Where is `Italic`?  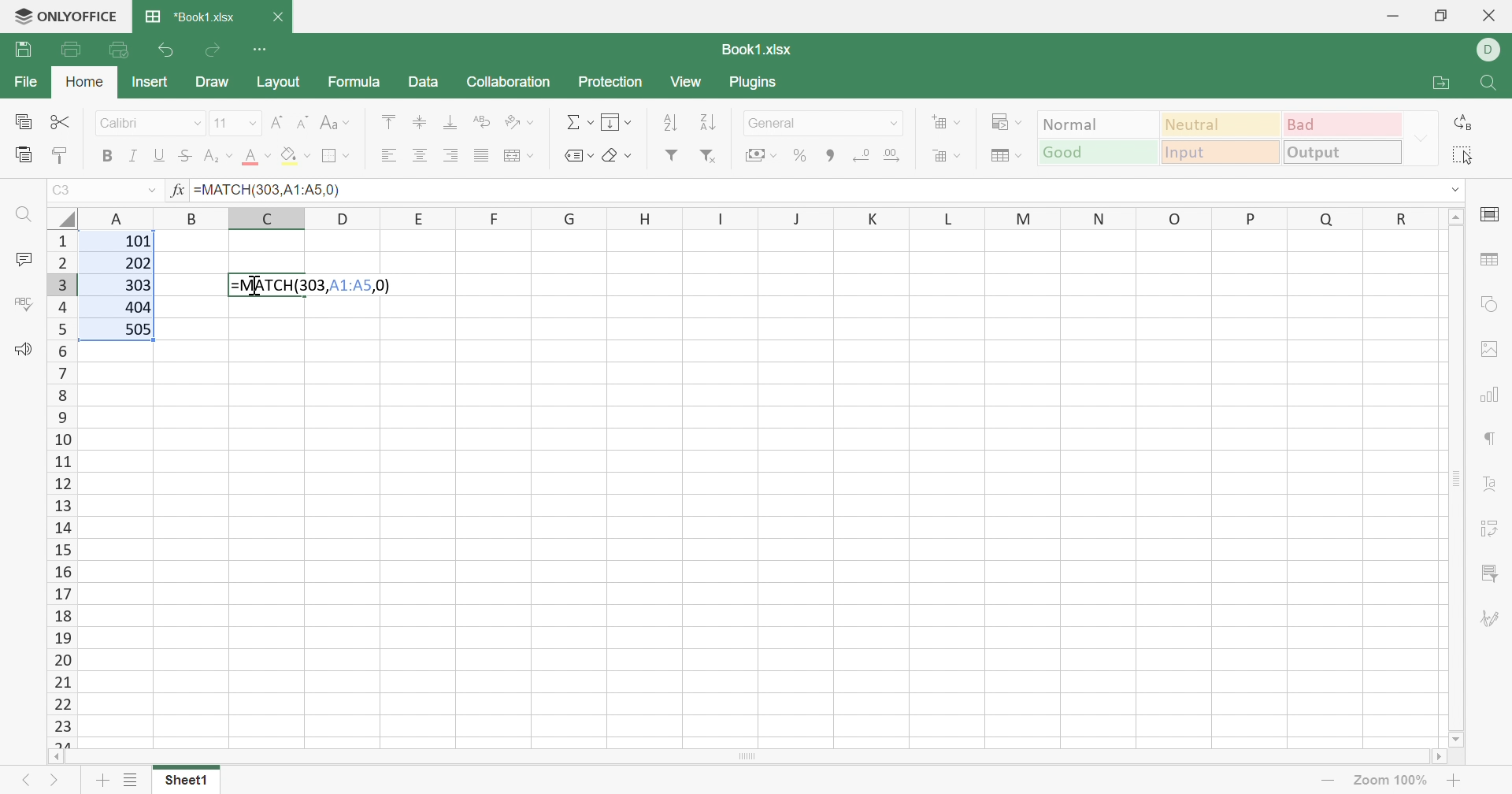 Italic is located at coordinates (133, 156).